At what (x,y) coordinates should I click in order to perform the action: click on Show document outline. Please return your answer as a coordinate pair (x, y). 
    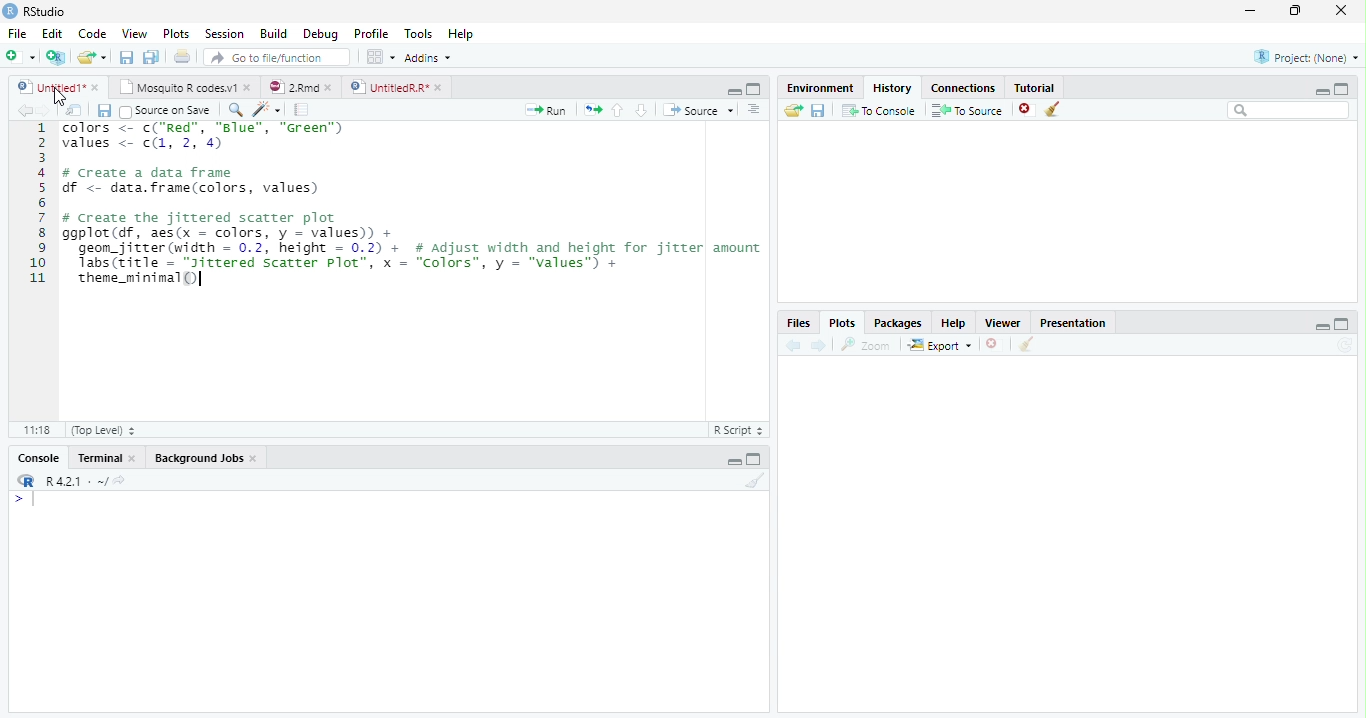
    Looking at the image, I should click on (753, 109).